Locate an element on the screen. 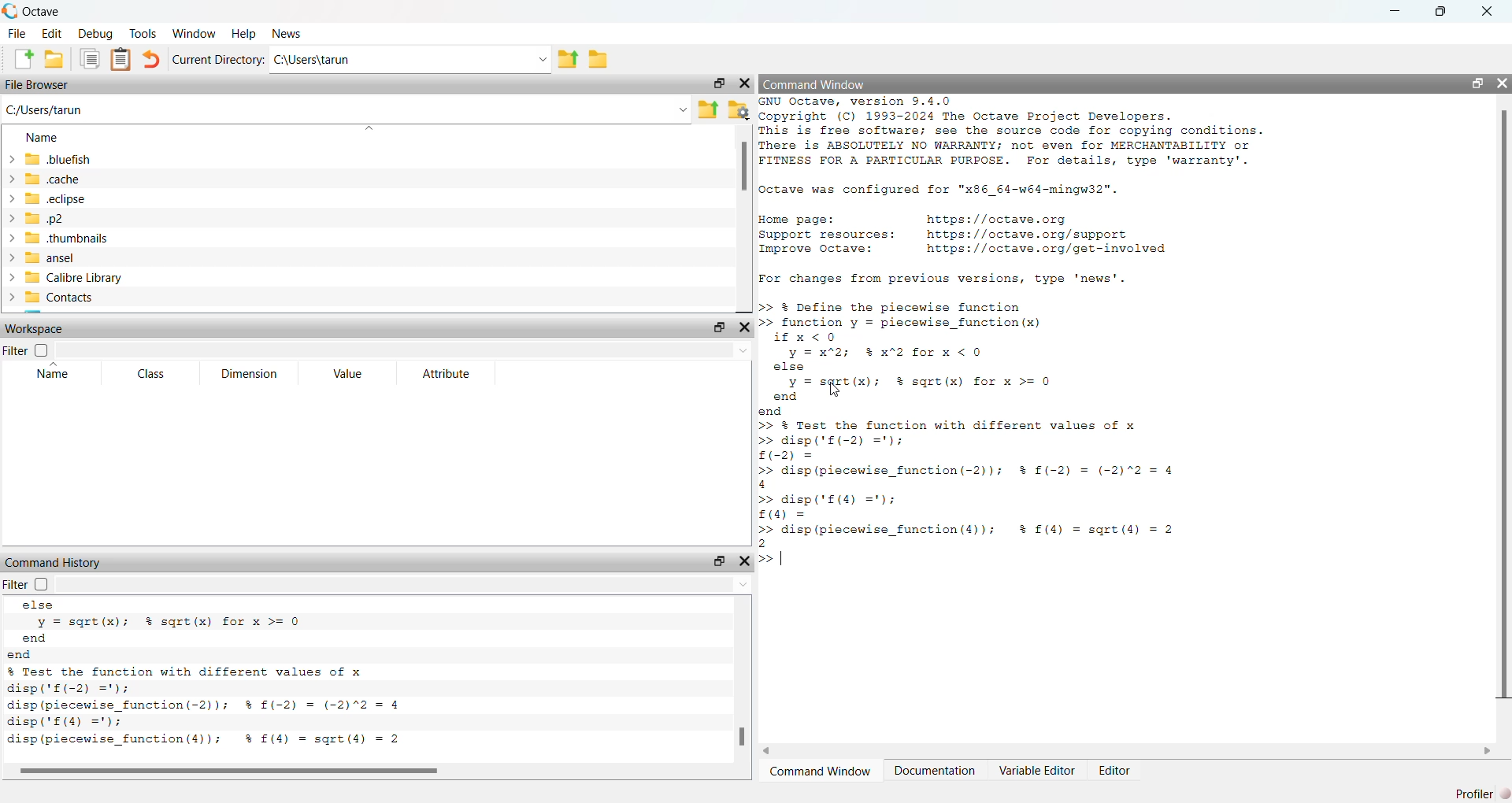  y = sqrt(x); % sqrt(x) for x >= 0

end
end
$ Test the function with different values of x
disp('£(-2) =");
disp (piecewise_function(-2)); $ £(-2) = (-2)"2 = 4
disp('£(4) =");
disp (piecewise_function(4)); % £(4) = sgrt(4) = 2
# Octave 9.4.0, Wed Feb 26 00:25:44 2025 GMT <unknown@Richie_rich> is located at coordinates (272, 676).